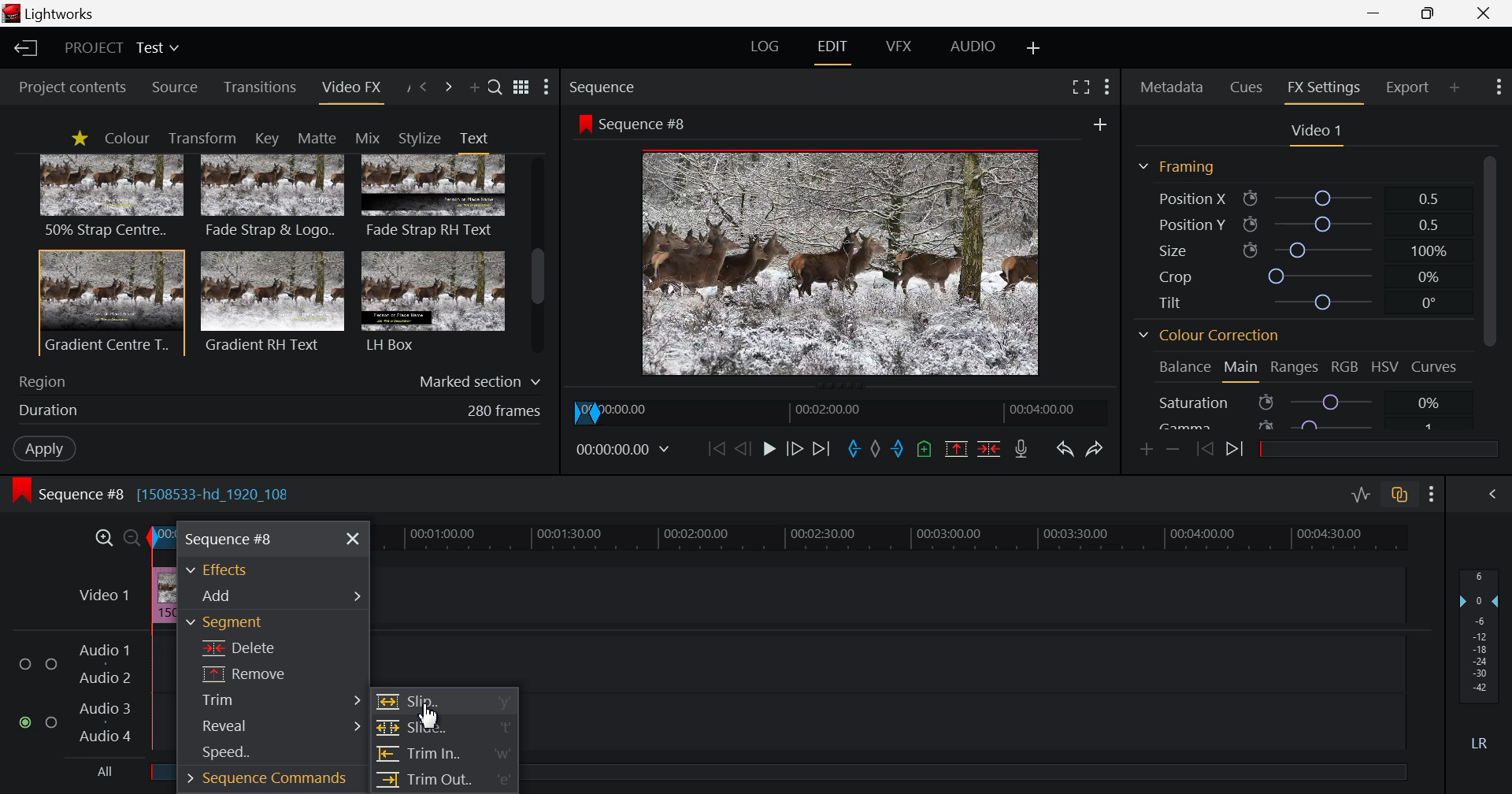 This screenshot has width=1512, height=794. I want to click on Colour, so click(126, 139).